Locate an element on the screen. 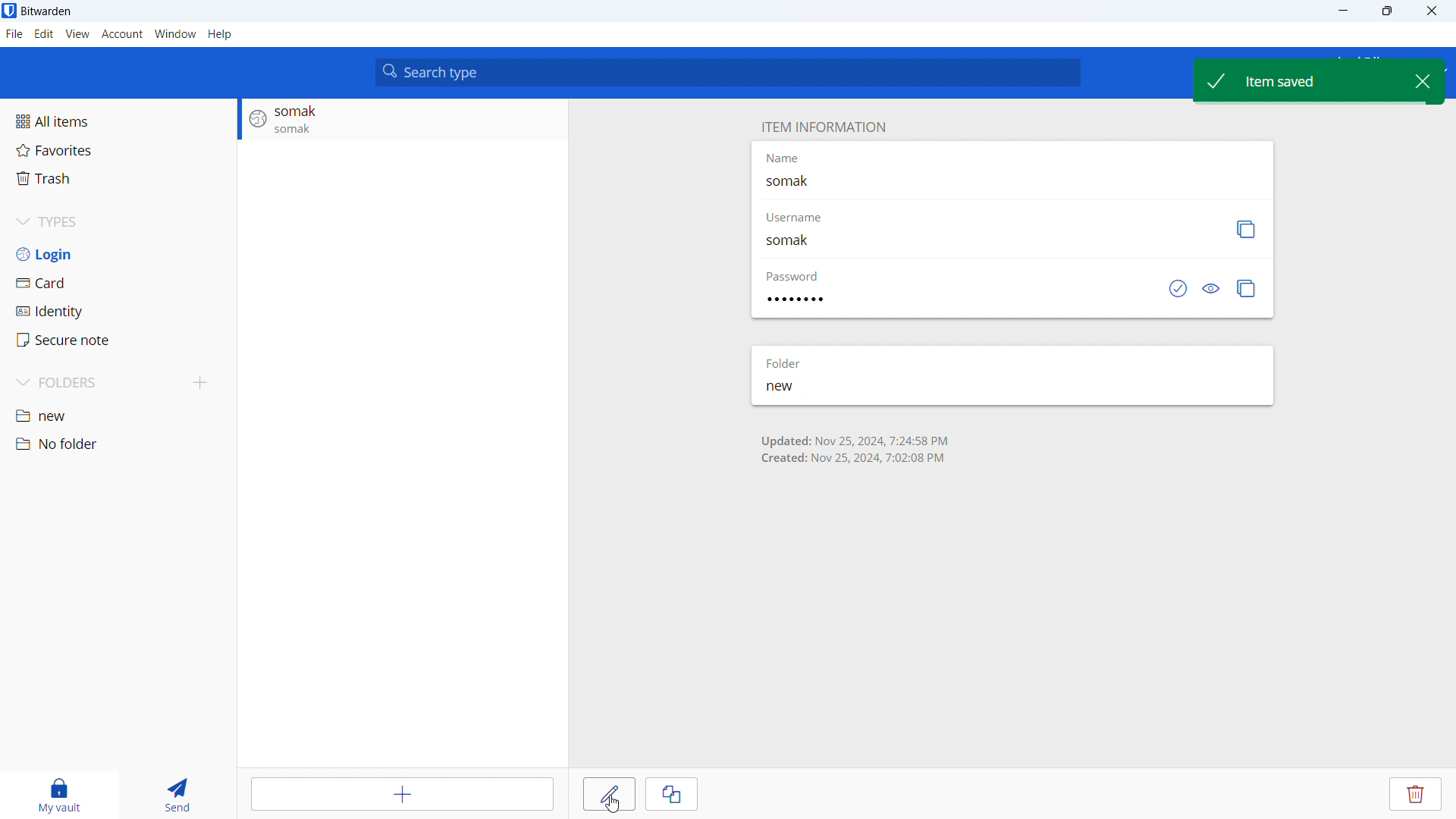  folder is located at coordinates (788, 362).